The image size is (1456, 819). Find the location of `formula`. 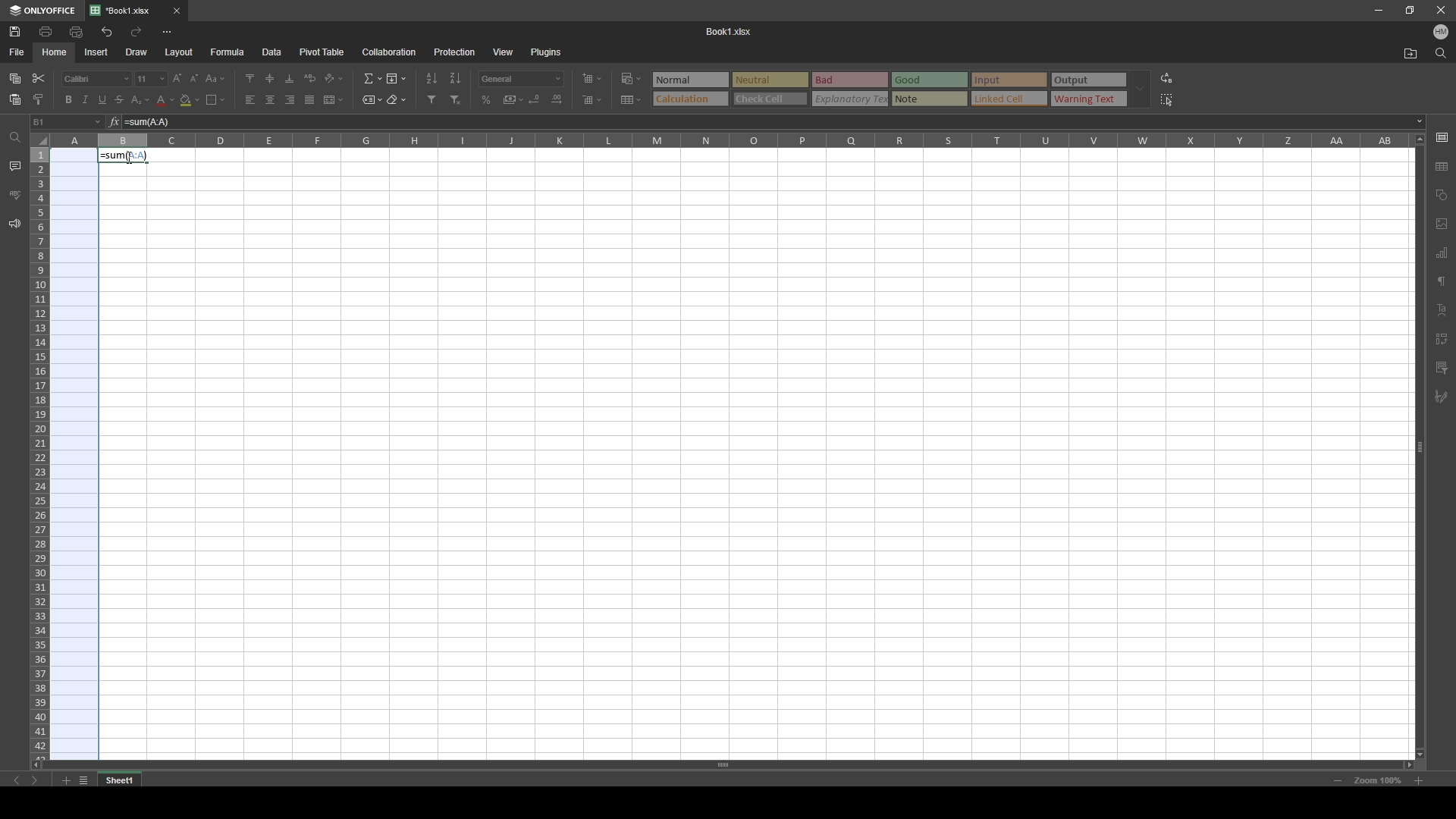

formula is located at coordinates (227, 52).